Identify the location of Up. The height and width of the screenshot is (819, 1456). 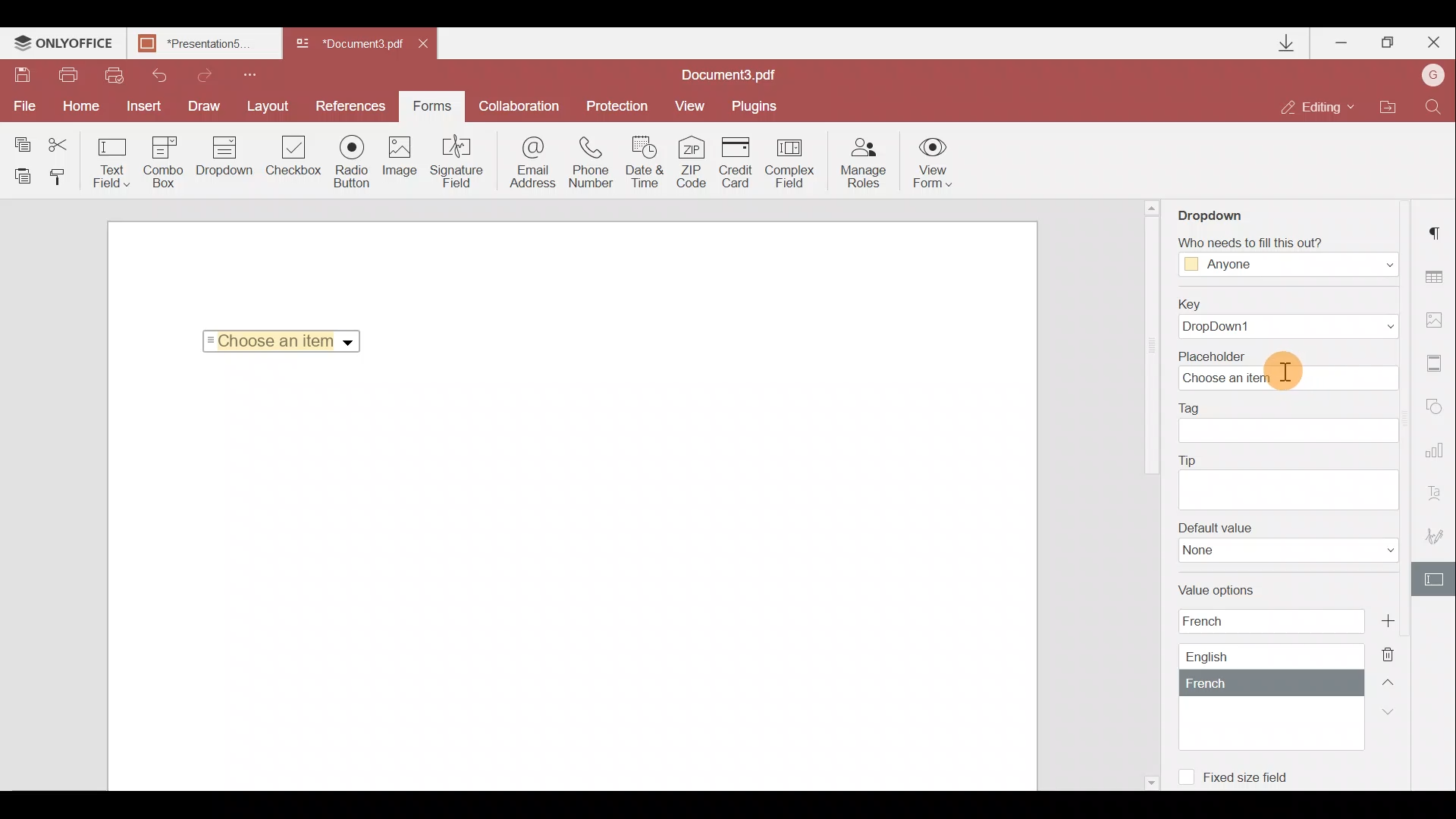
(1392, 680).